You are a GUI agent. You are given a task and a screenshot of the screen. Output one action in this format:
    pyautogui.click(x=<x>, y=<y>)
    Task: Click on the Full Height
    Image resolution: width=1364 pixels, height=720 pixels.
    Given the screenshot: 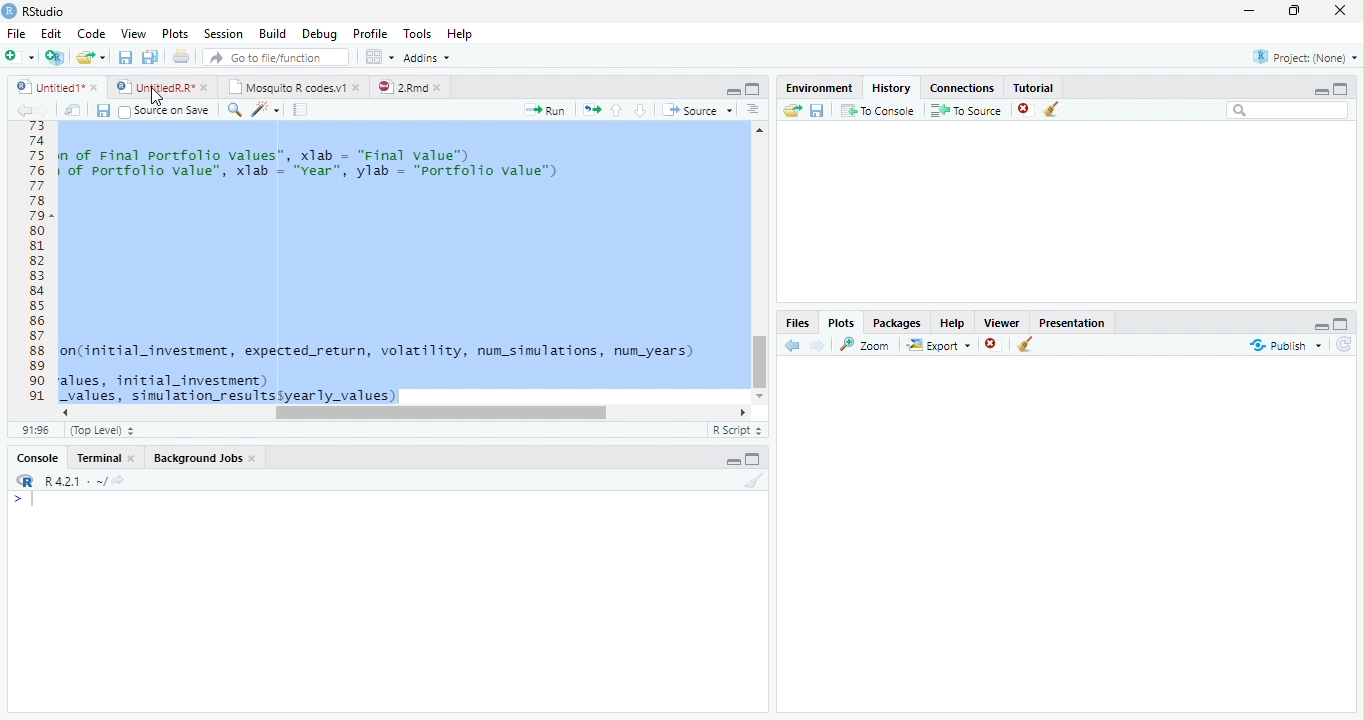 What is the action you would take?
    pyautogui.click(x=756, y=458)
    